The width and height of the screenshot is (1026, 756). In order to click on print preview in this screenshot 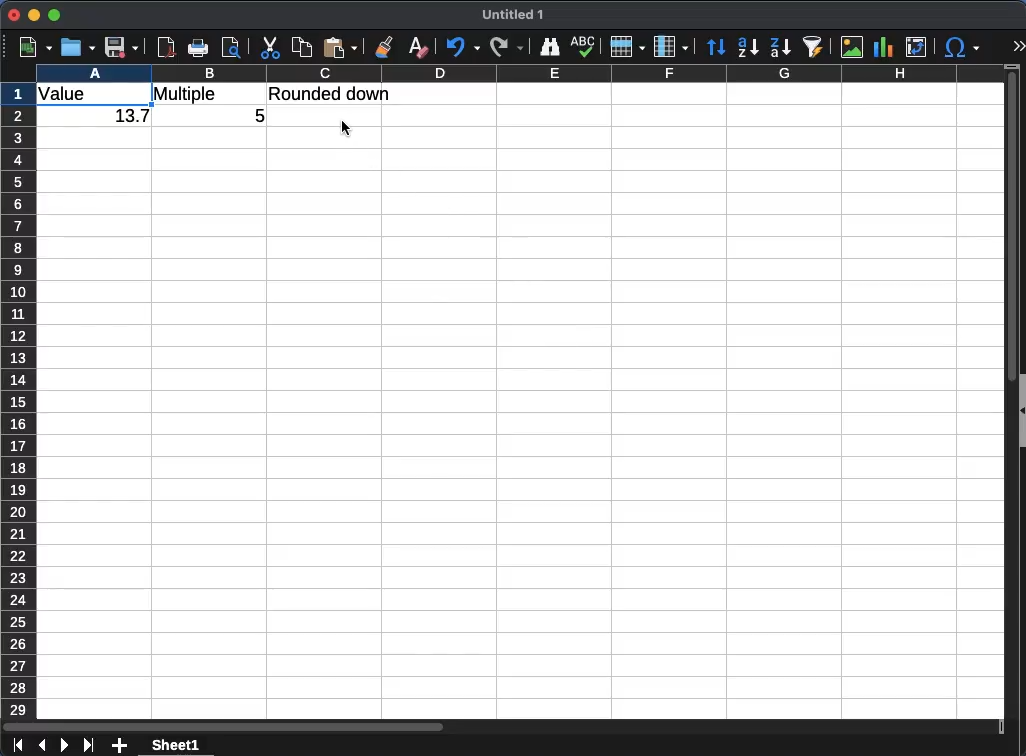, I will do `click(232, 49)`.